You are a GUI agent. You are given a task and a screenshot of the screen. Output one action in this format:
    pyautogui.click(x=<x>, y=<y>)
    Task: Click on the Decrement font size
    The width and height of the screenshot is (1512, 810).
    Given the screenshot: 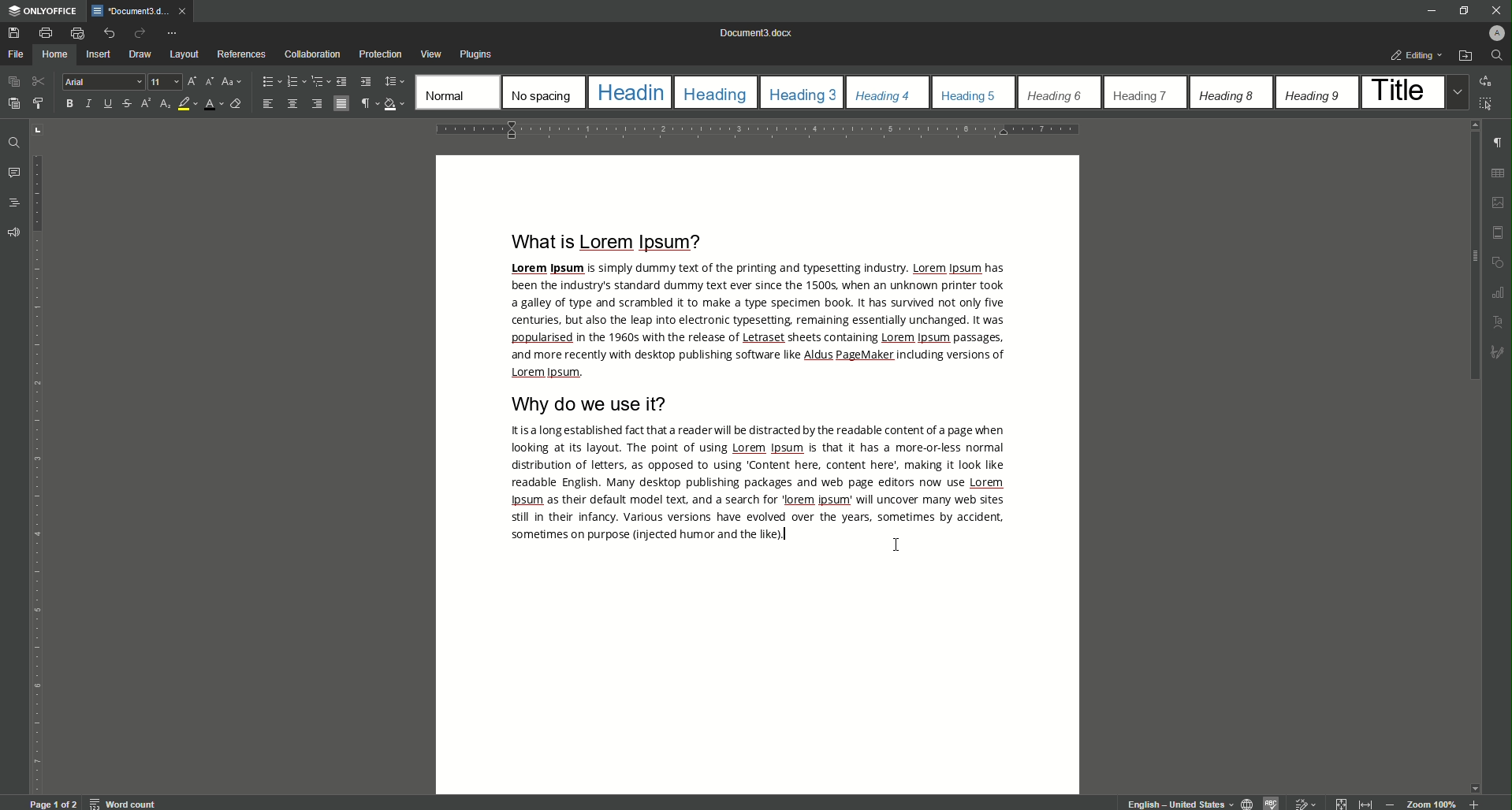 What is the action you would take?
    pyautogui.click(x=209, y=82)
    